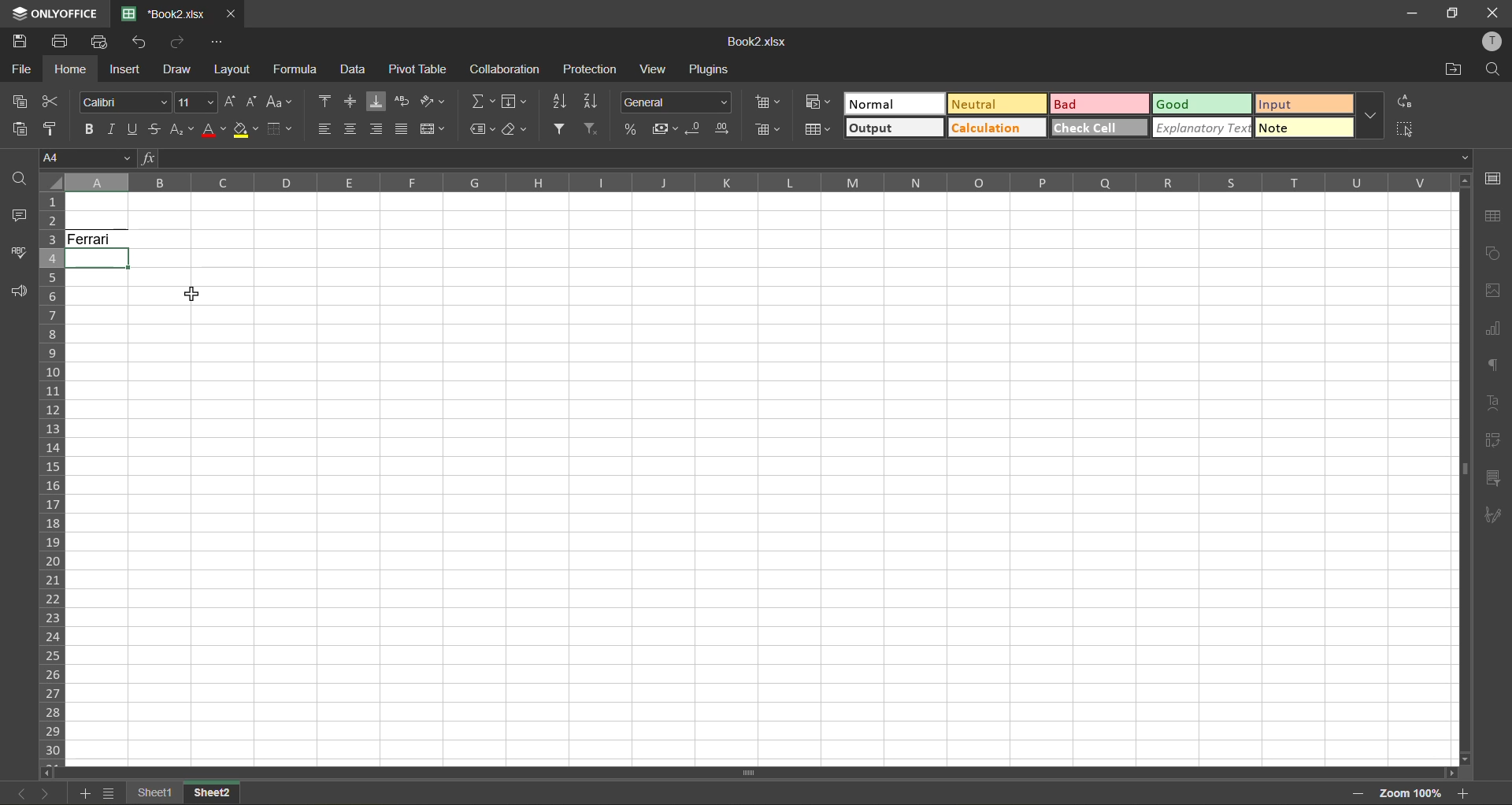  Describe the element at coordinates (155, 793) in the screenshot. I see `sheet 1` at that location.